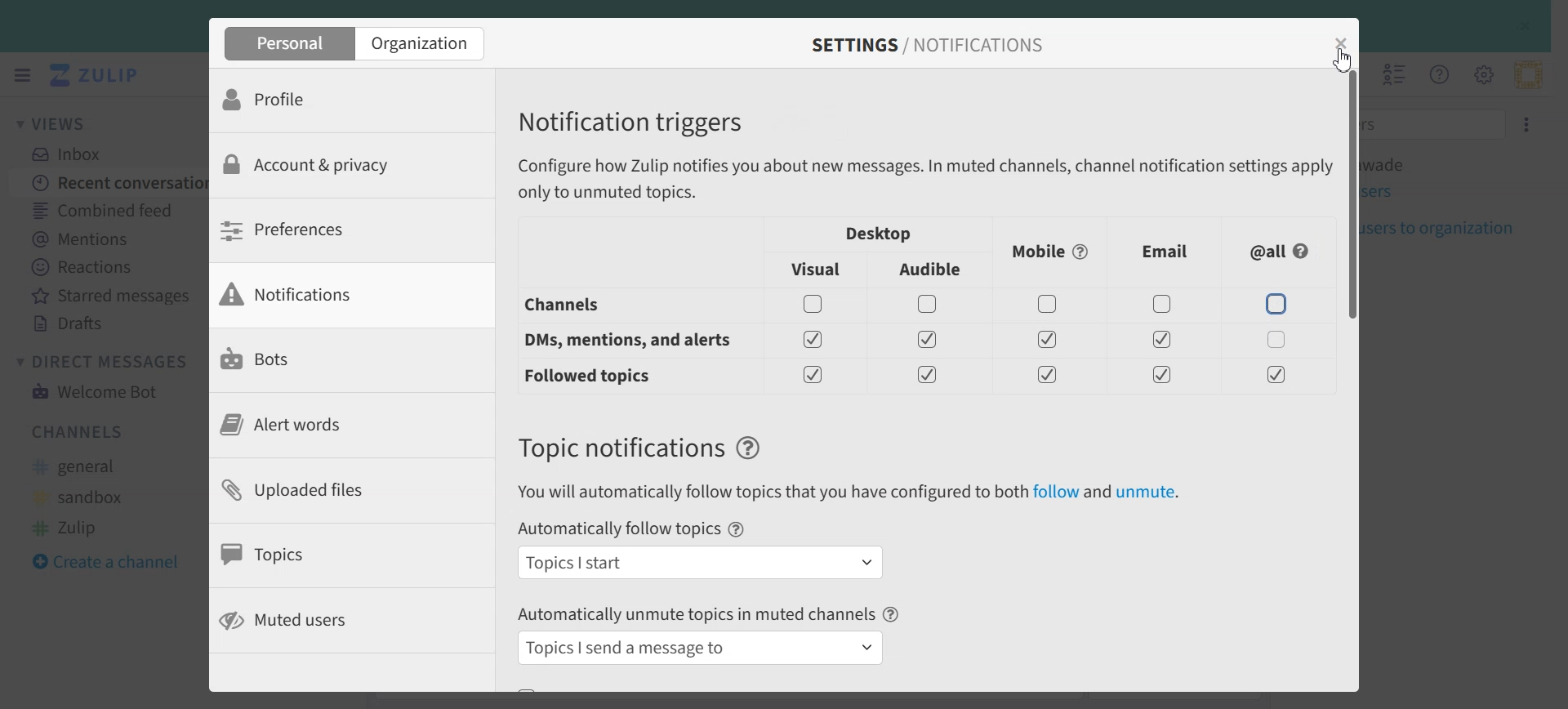 The height and width of the screenshot is (709, 1568). Describe the element at coordinates (608, 305) in the screenshot. I see `Channels` at that location.